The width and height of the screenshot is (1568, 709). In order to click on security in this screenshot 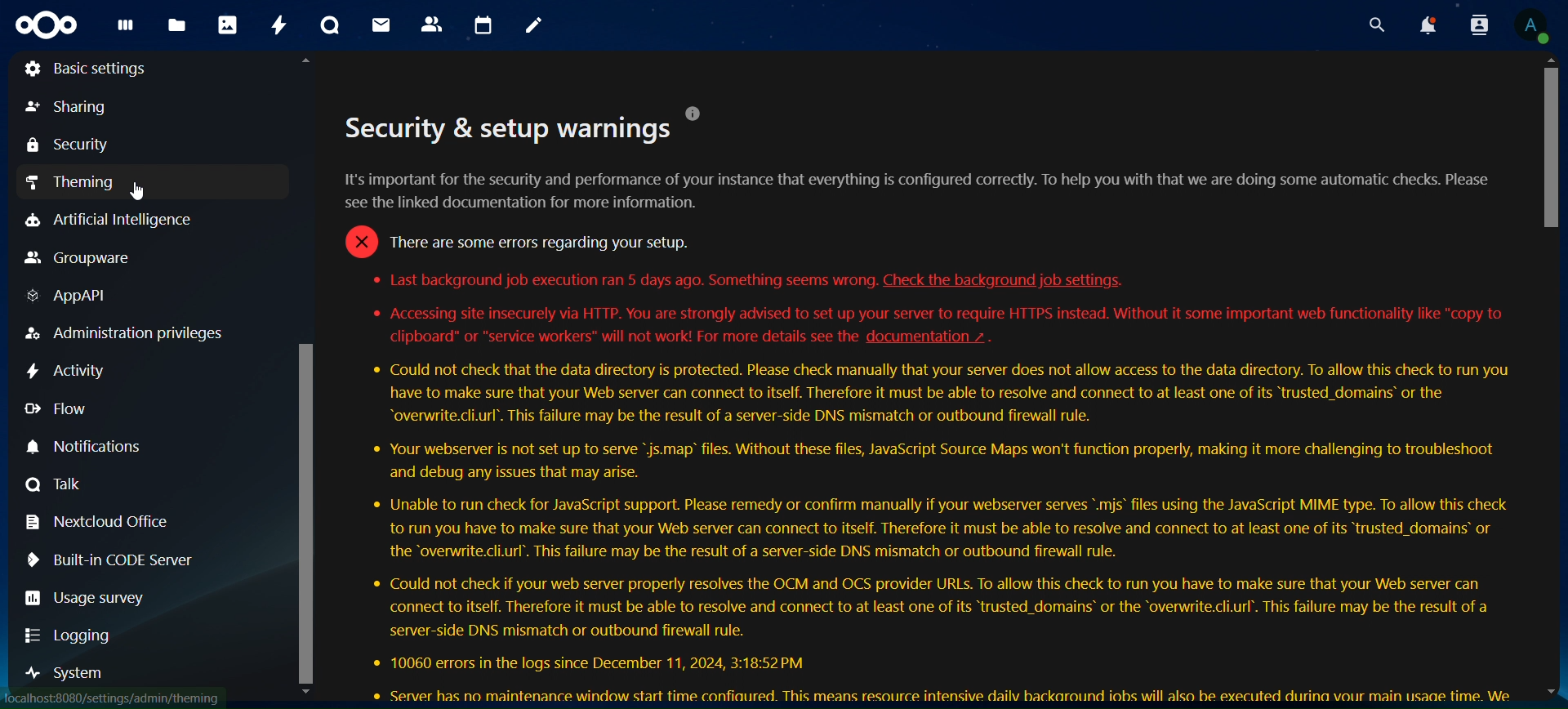, I will do `click(72, 146)`.